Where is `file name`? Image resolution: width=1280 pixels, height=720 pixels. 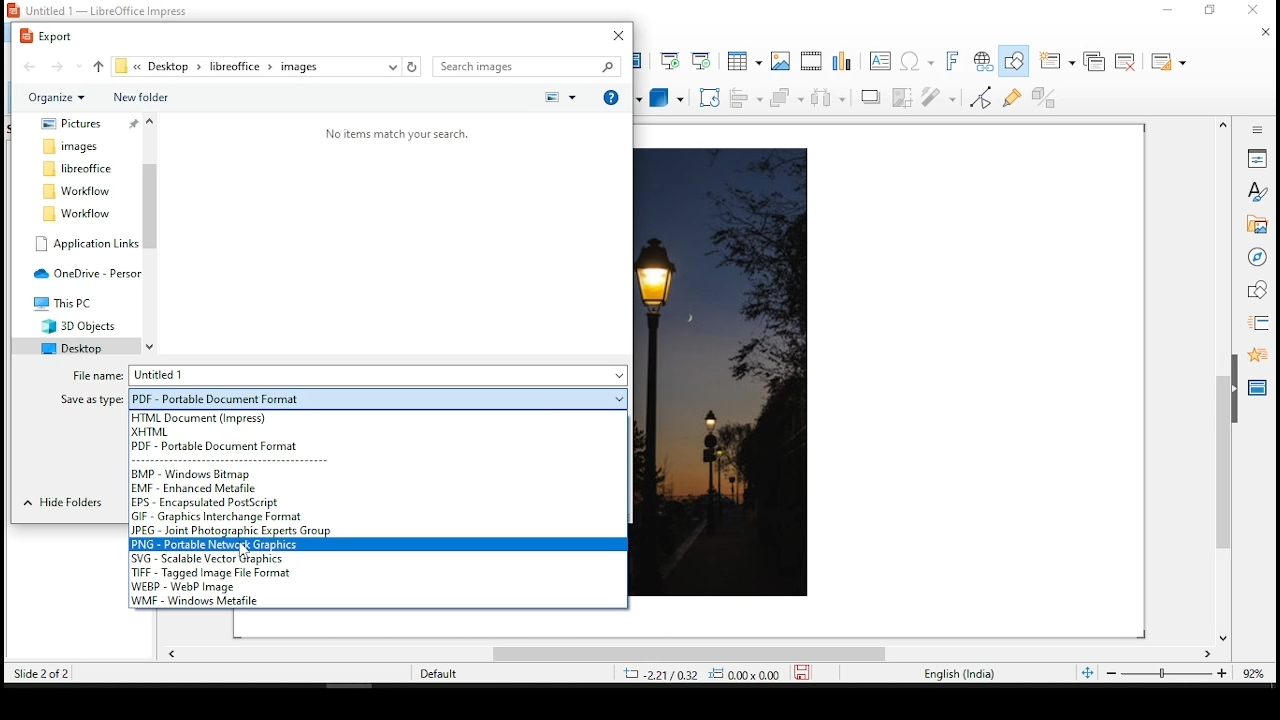 file name is located at coordinates (378, 375).